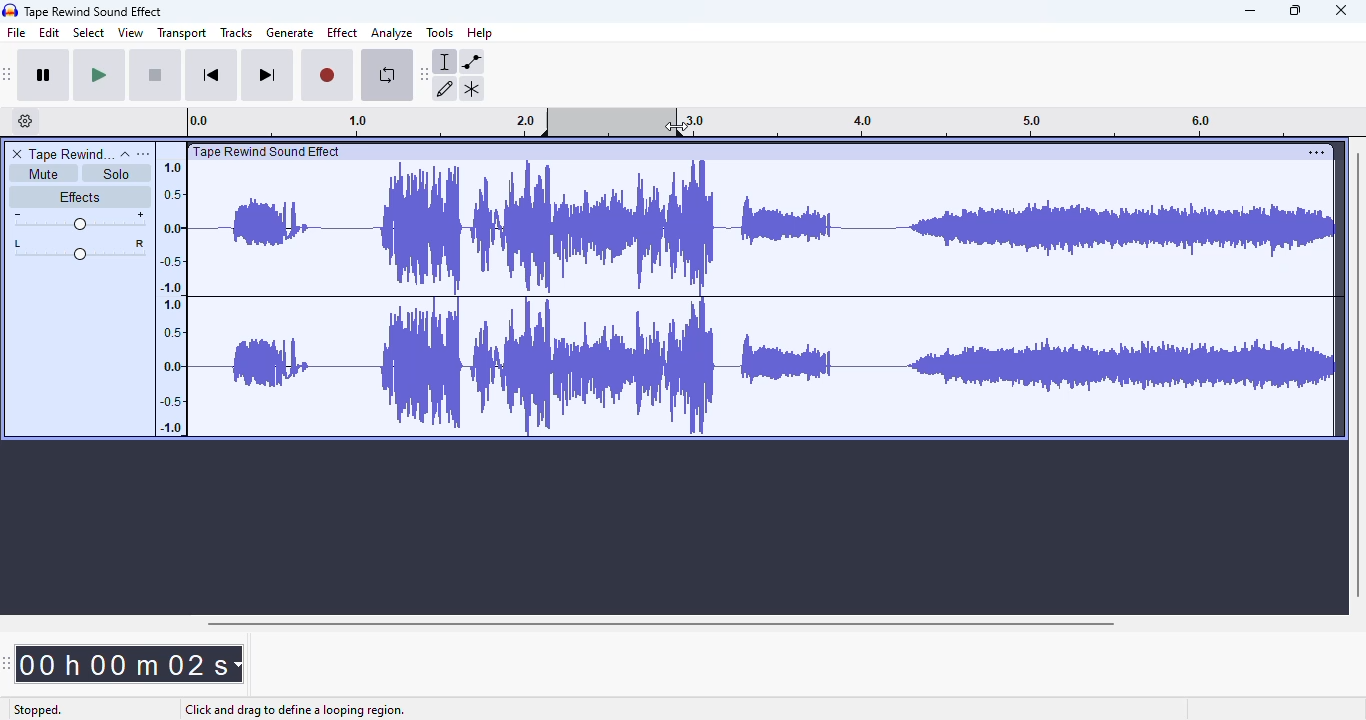 This screenshot has width=1366, height=720. What do you see at coordinates (1250, 11) in the screenshot?
I see `minimize` at bounding box center [1250, 11].